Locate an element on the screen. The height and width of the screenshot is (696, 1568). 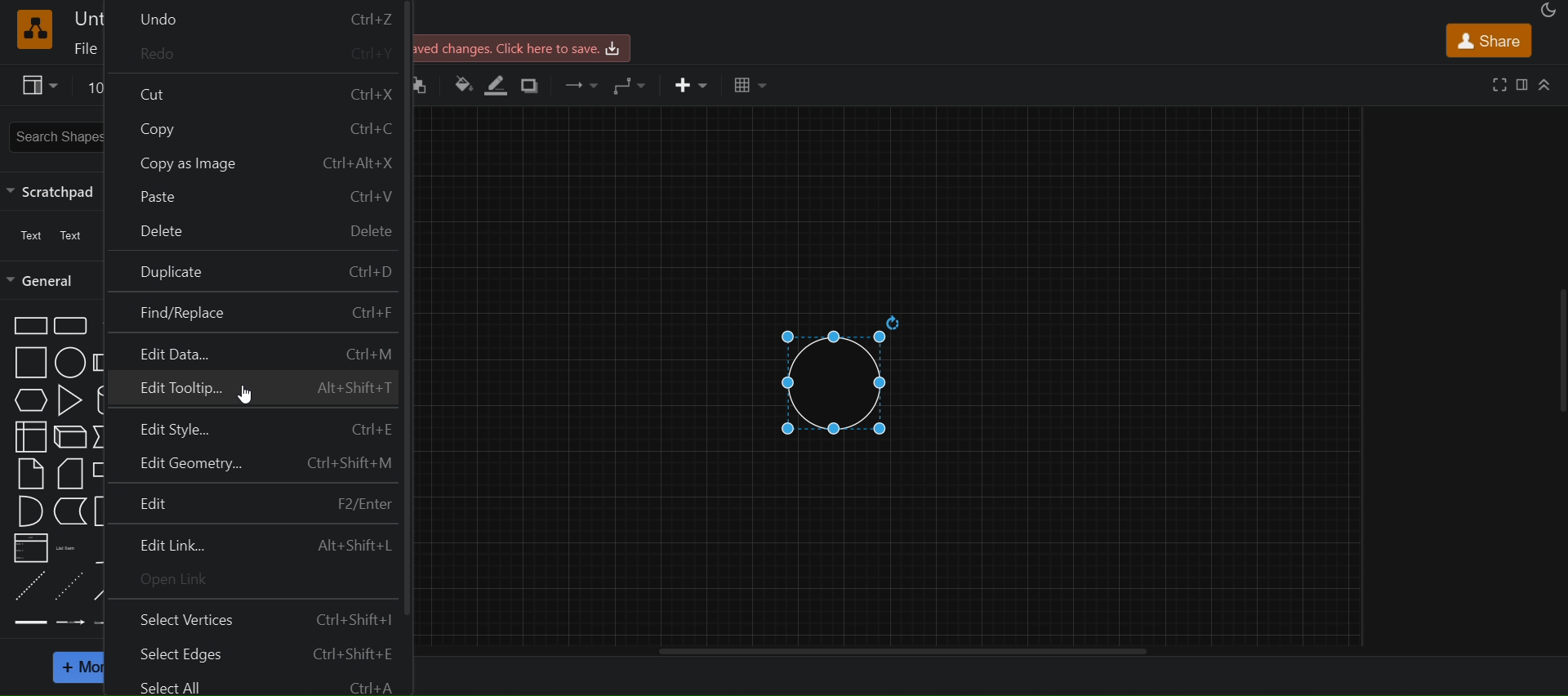
share is located at coordinates (1486, 39).